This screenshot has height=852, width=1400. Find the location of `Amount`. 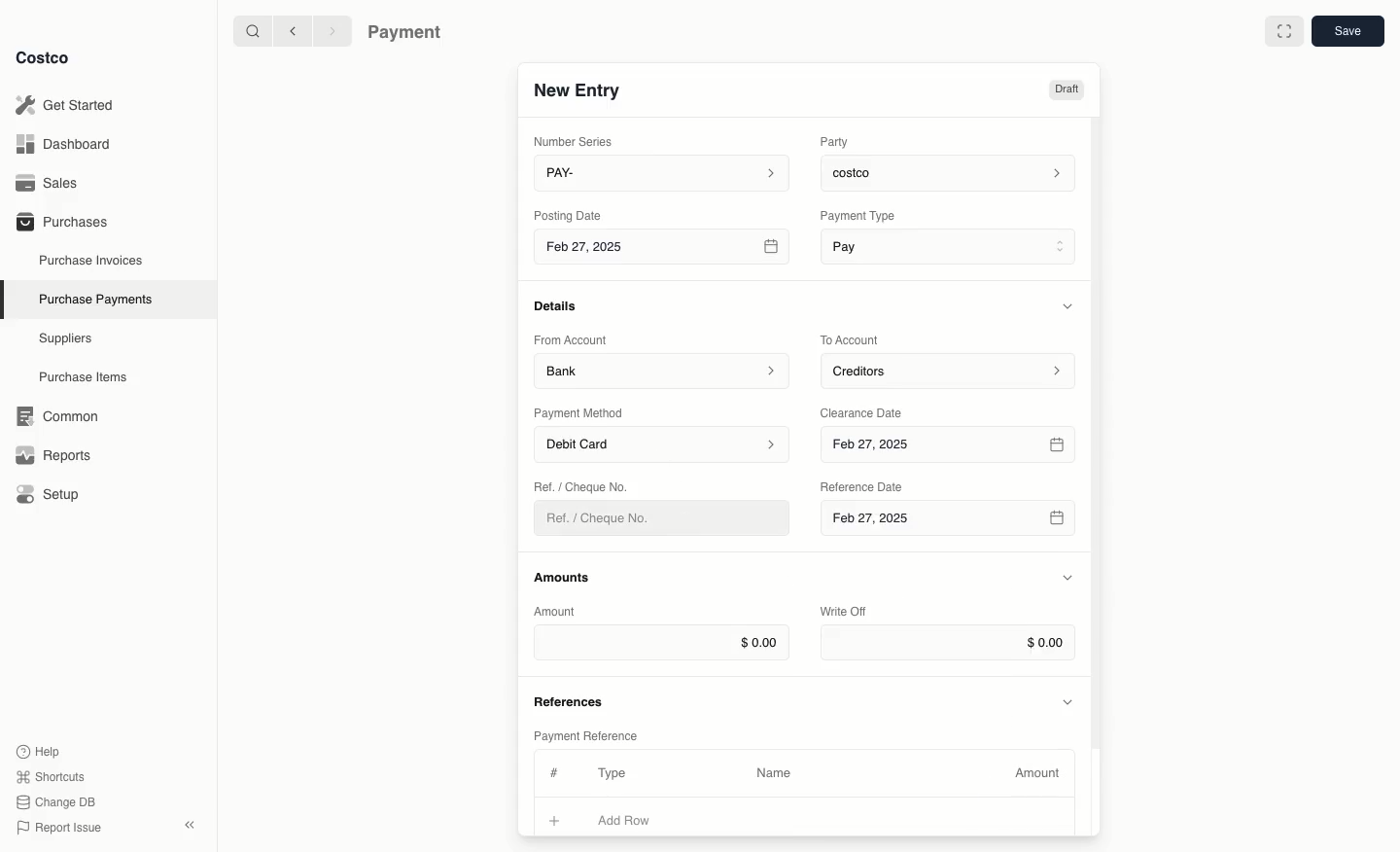

Amount is located at coordinates (558, 611).